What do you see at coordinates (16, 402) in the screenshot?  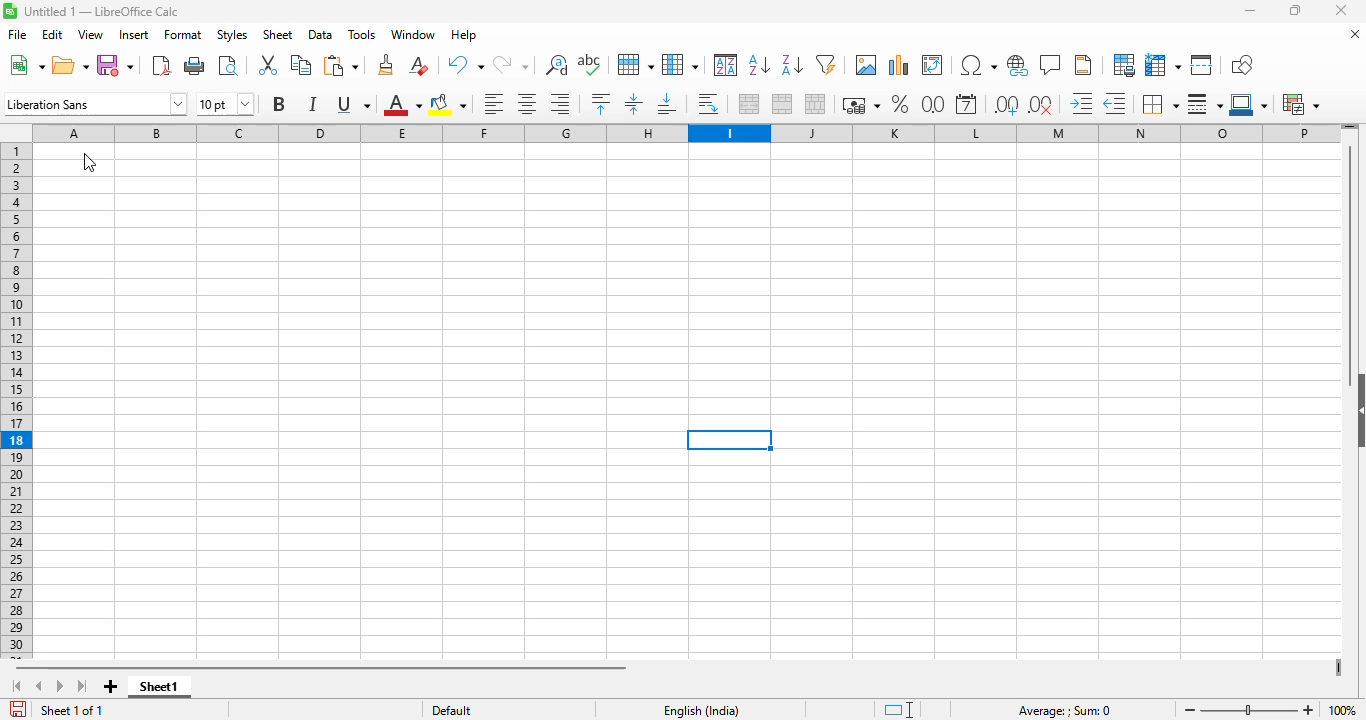 I see `rows` at bounding box center [16, 402].